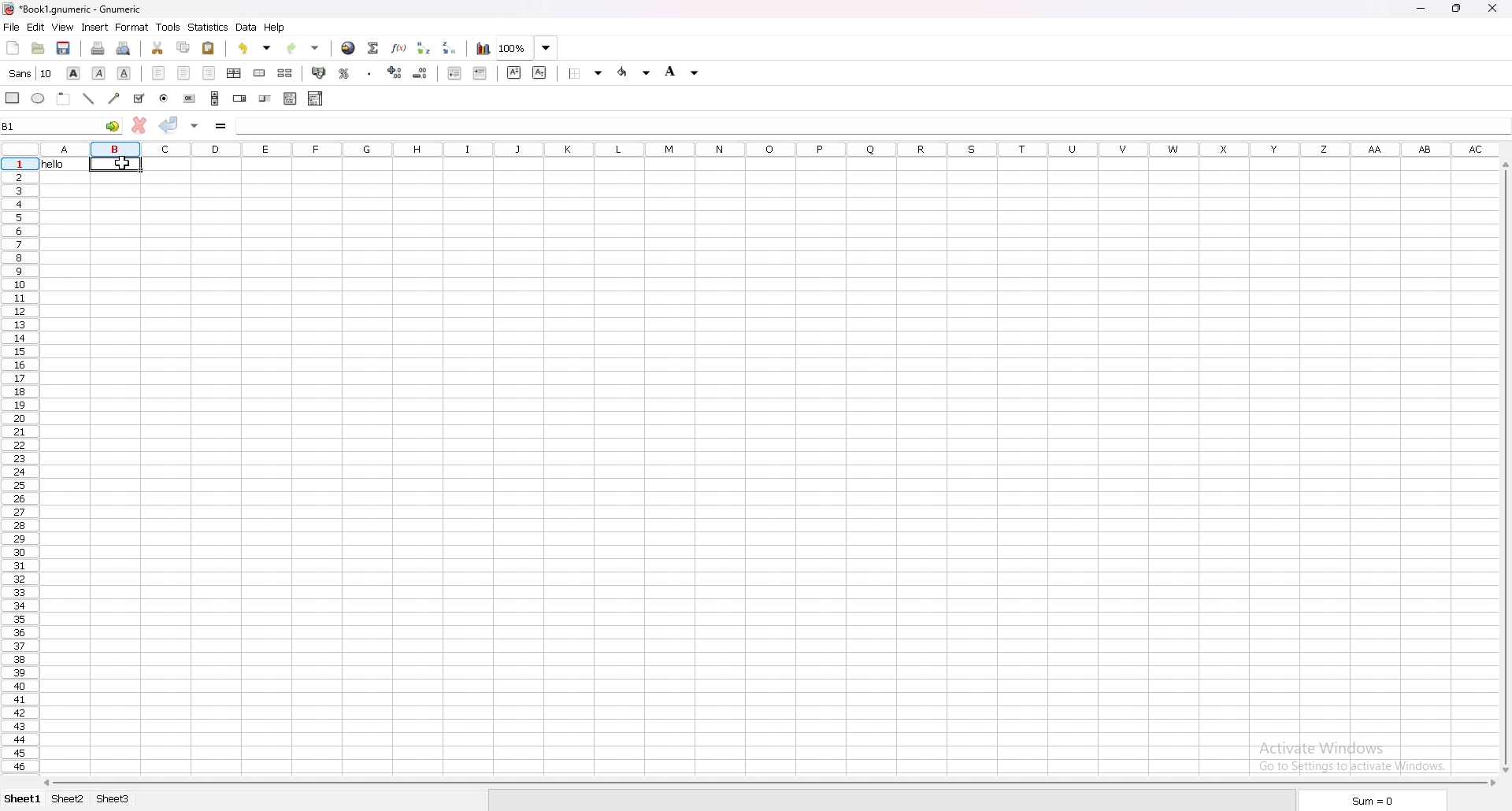 The height and width of the screenshot is (811, 1512). Describe the element at coordinates (38, 98) in the screenshot. I see `ellipse object` at that location.